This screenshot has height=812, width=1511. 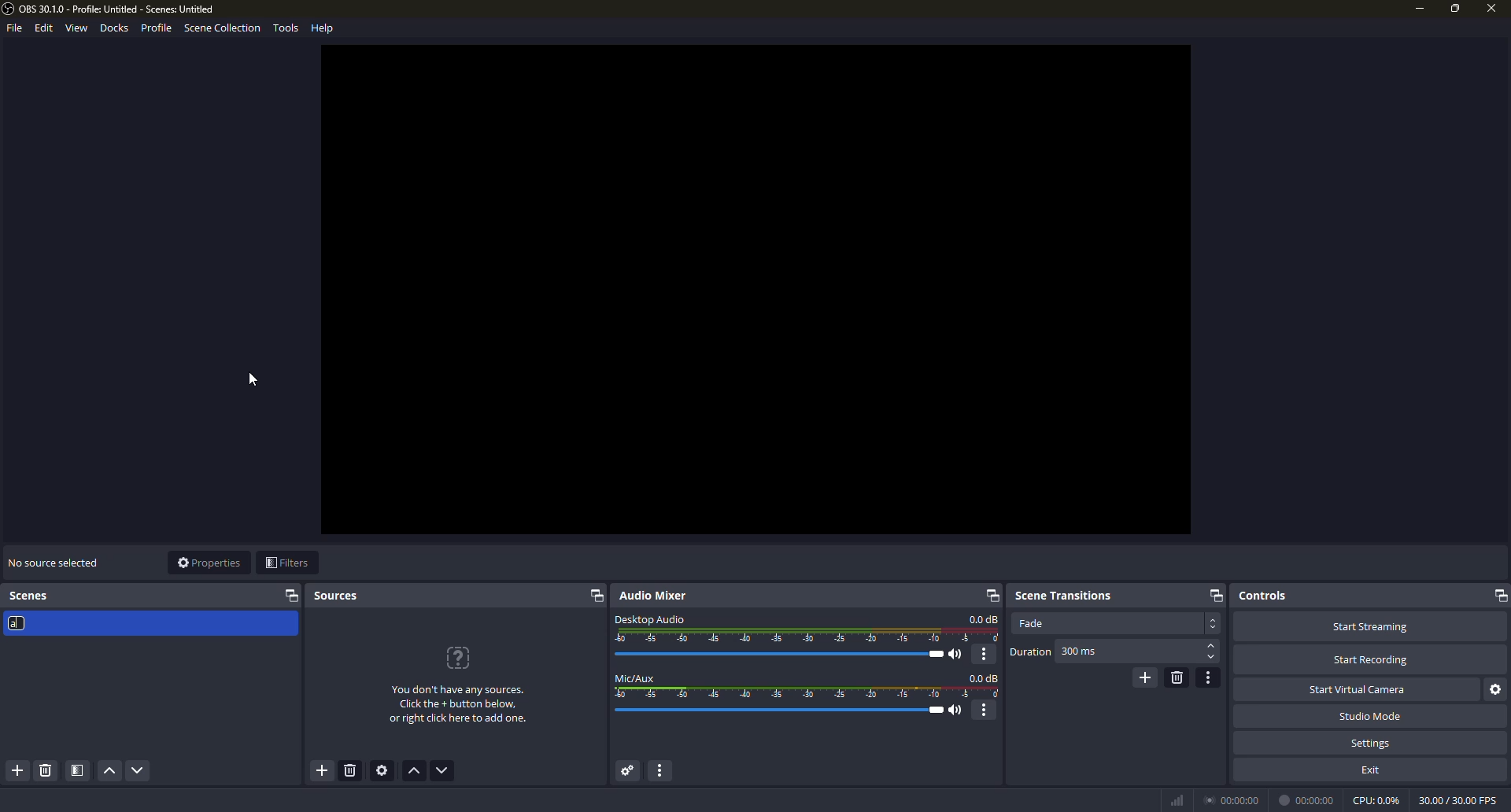 What do you see at coordinates (1176, 799) in the screenshot?
I see `network` at bounding box center [1176, 799].